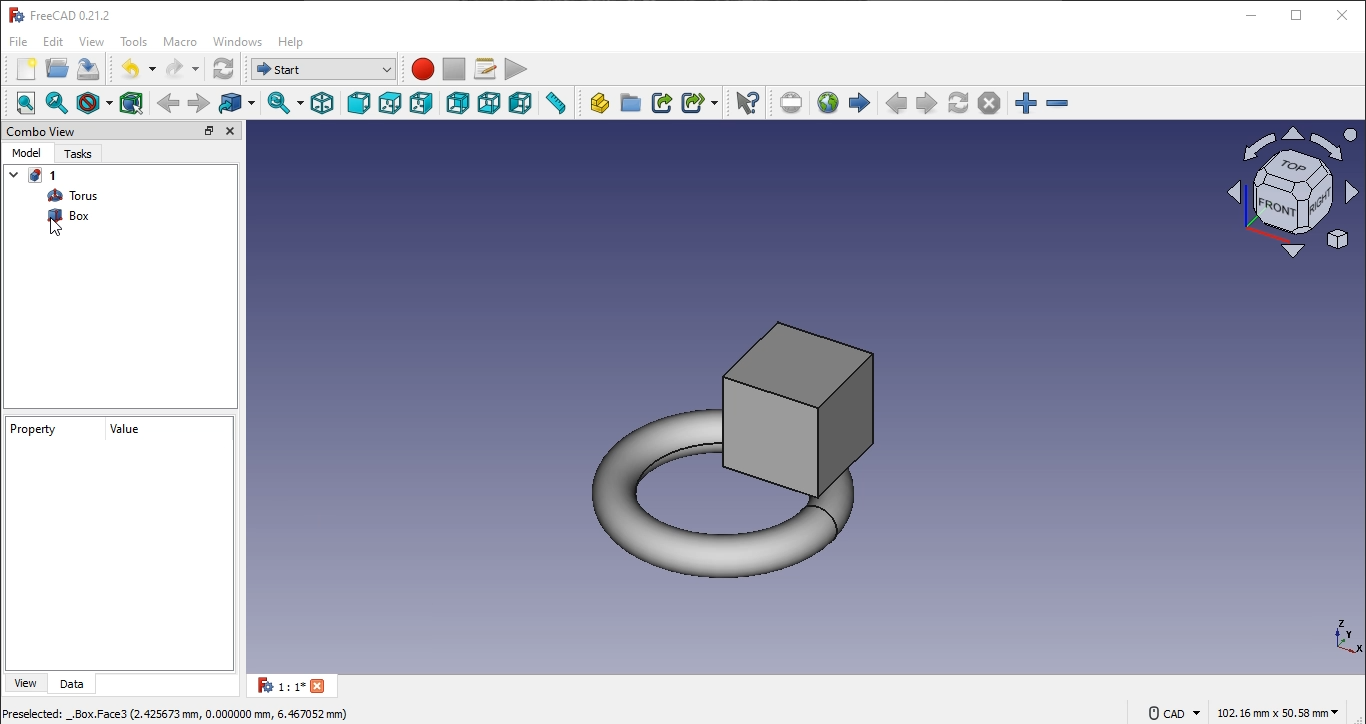  Describe the element at coordinates (61, 13) in the screenshot. I see ` FreeCAD 0.21.2` at that location.